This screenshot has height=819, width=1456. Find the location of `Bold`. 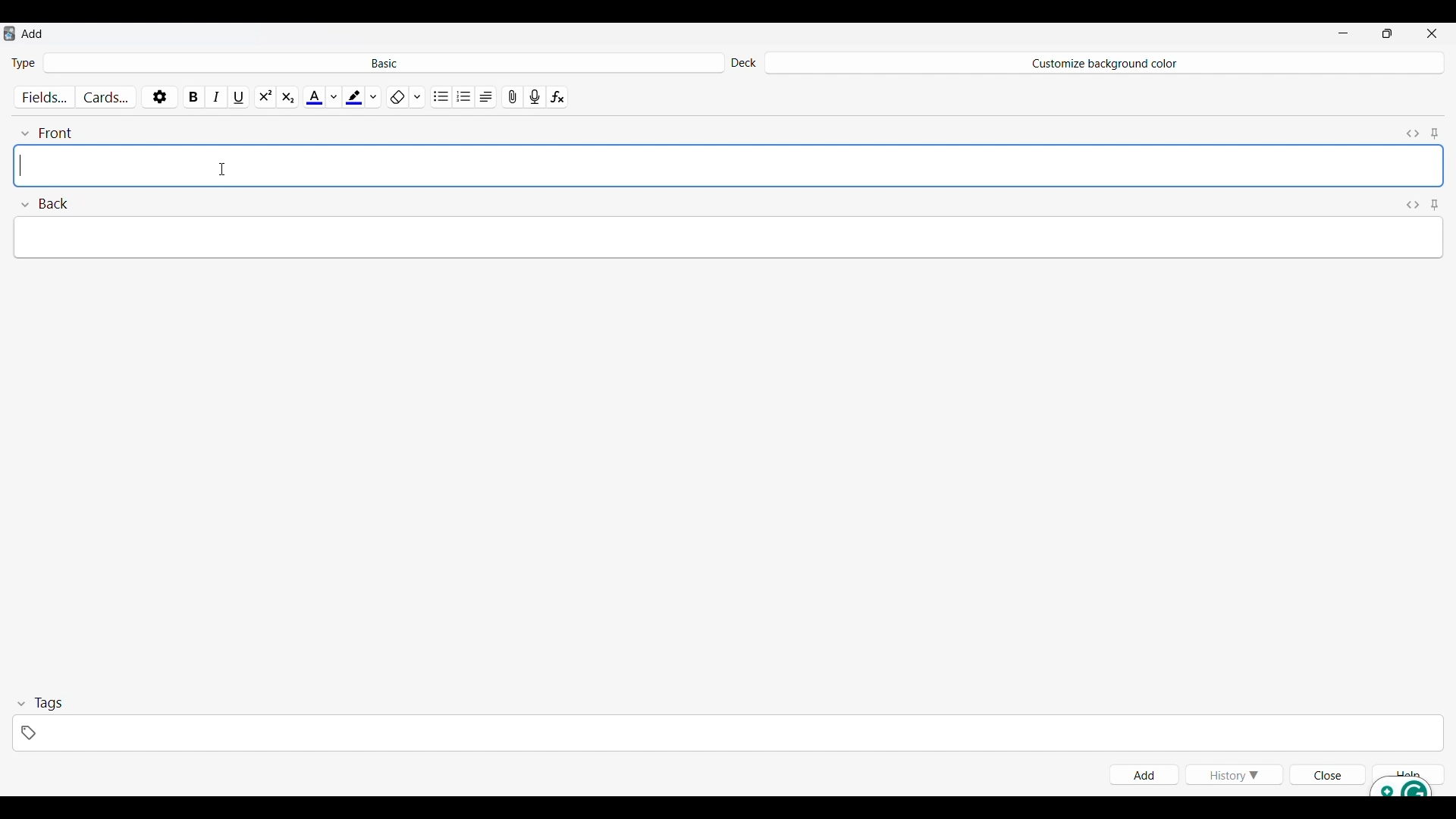

Bold is located at coordinates (194, 94).